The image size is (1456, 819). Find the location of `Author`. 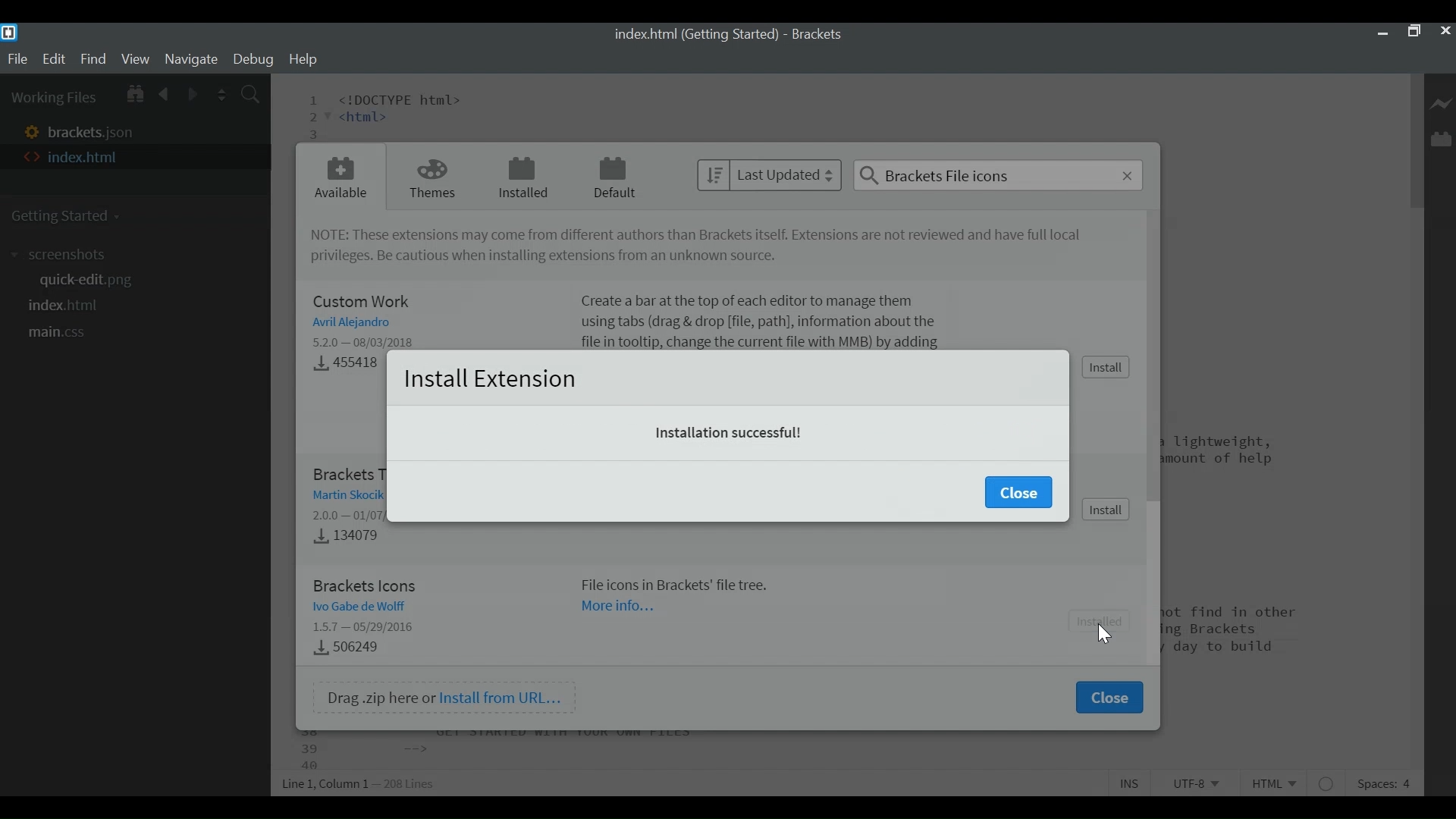

Author is located at coordinates (348, 323).